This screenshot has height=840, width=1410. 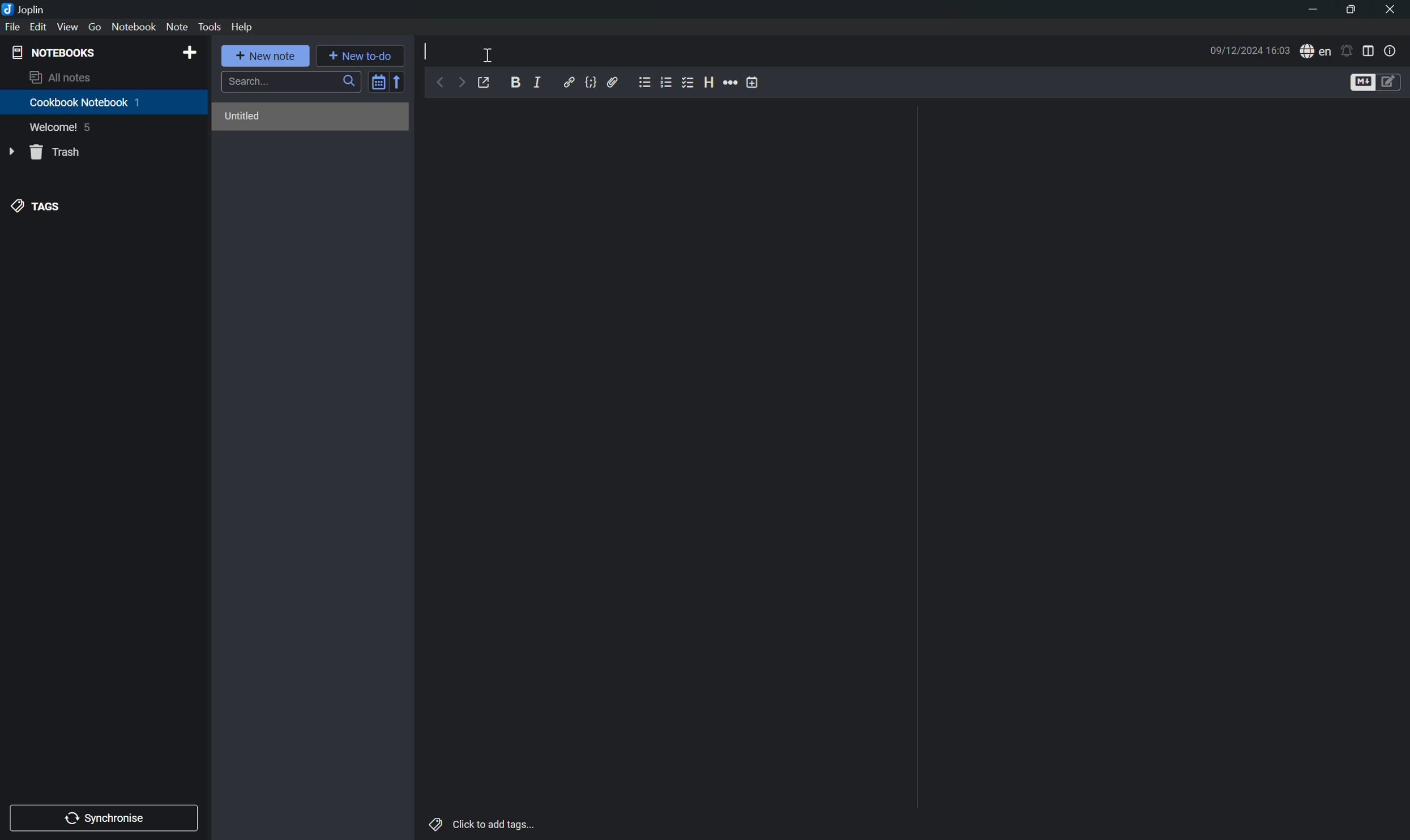 What do you see at coordinates (377, 84) in the screenshot?
I see `Toggle sort order field` at bounding box center [377, 84].